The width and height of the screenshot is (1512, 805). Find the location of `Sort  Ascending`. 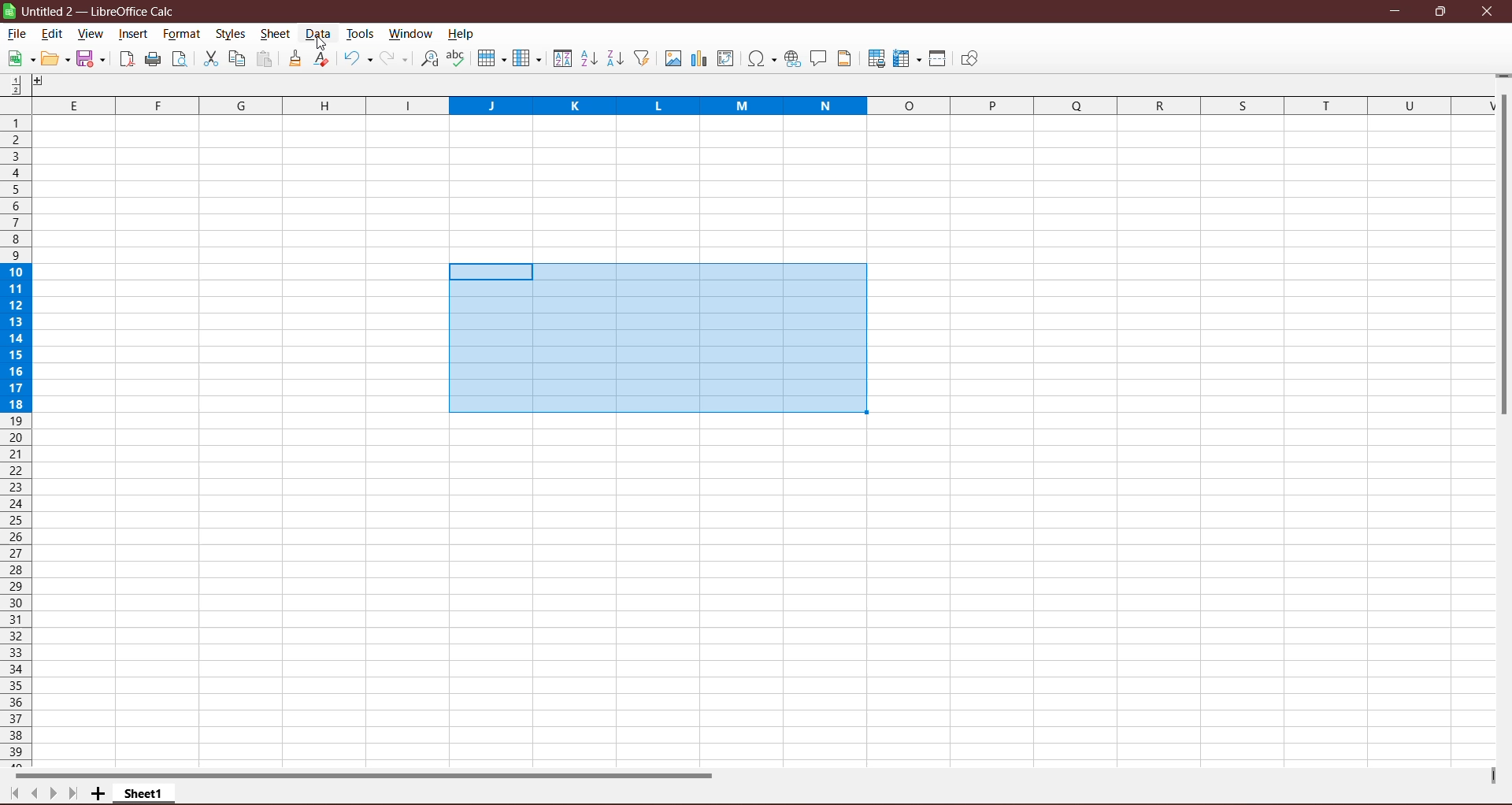

Sort  Ascending is located at coordinates (588, 58).